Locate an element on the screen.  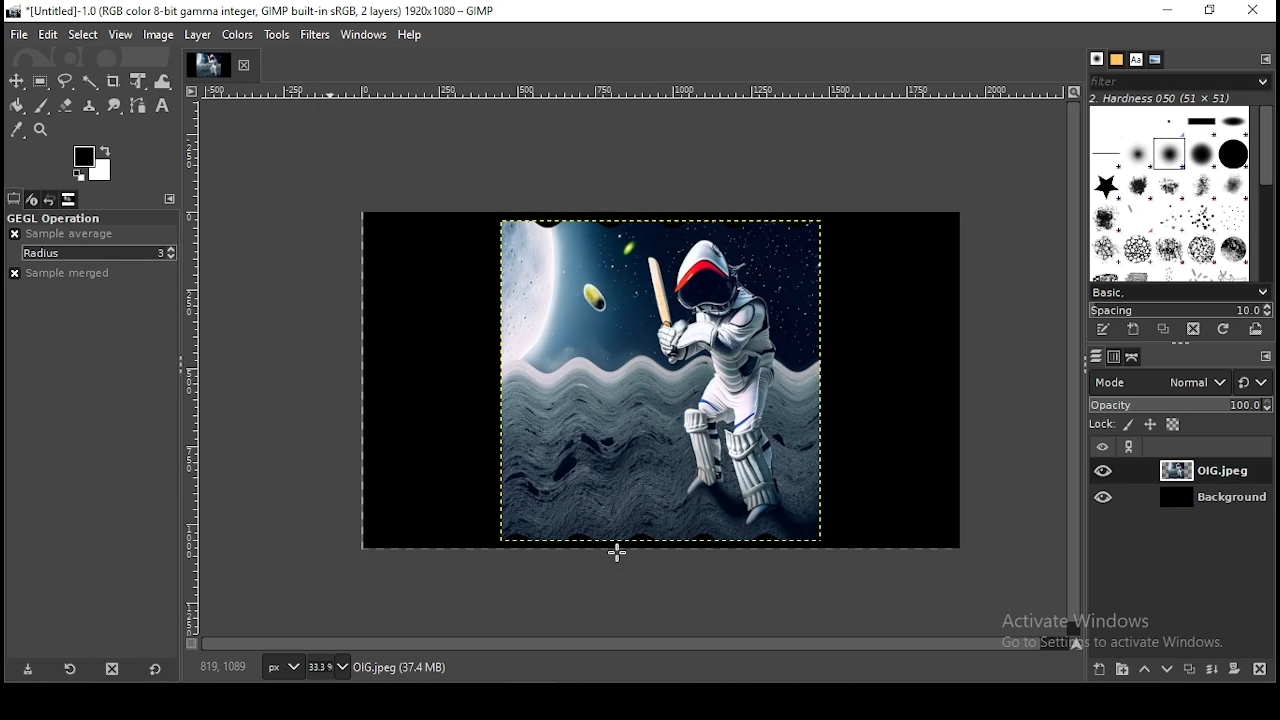
lock: is located at coordinates (1100, 424).